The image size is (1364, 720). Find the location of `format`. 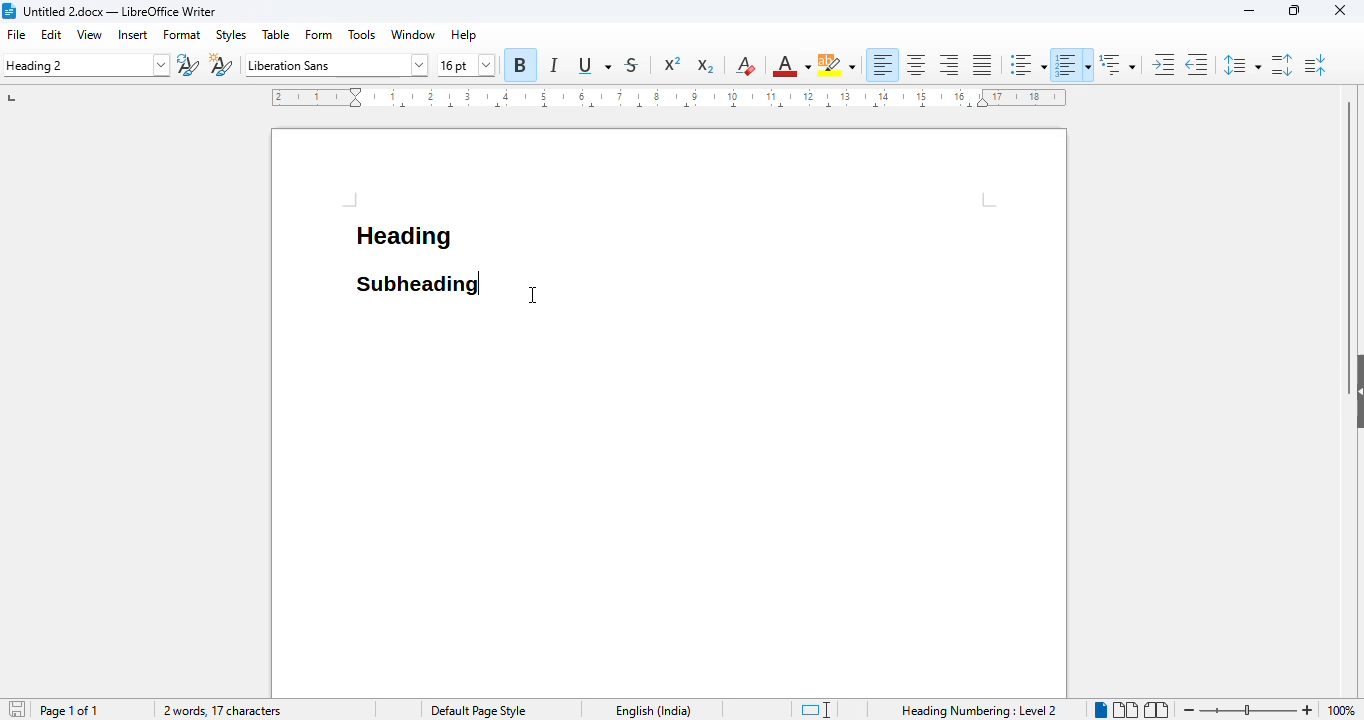

format is located at coordinates (182, 35).